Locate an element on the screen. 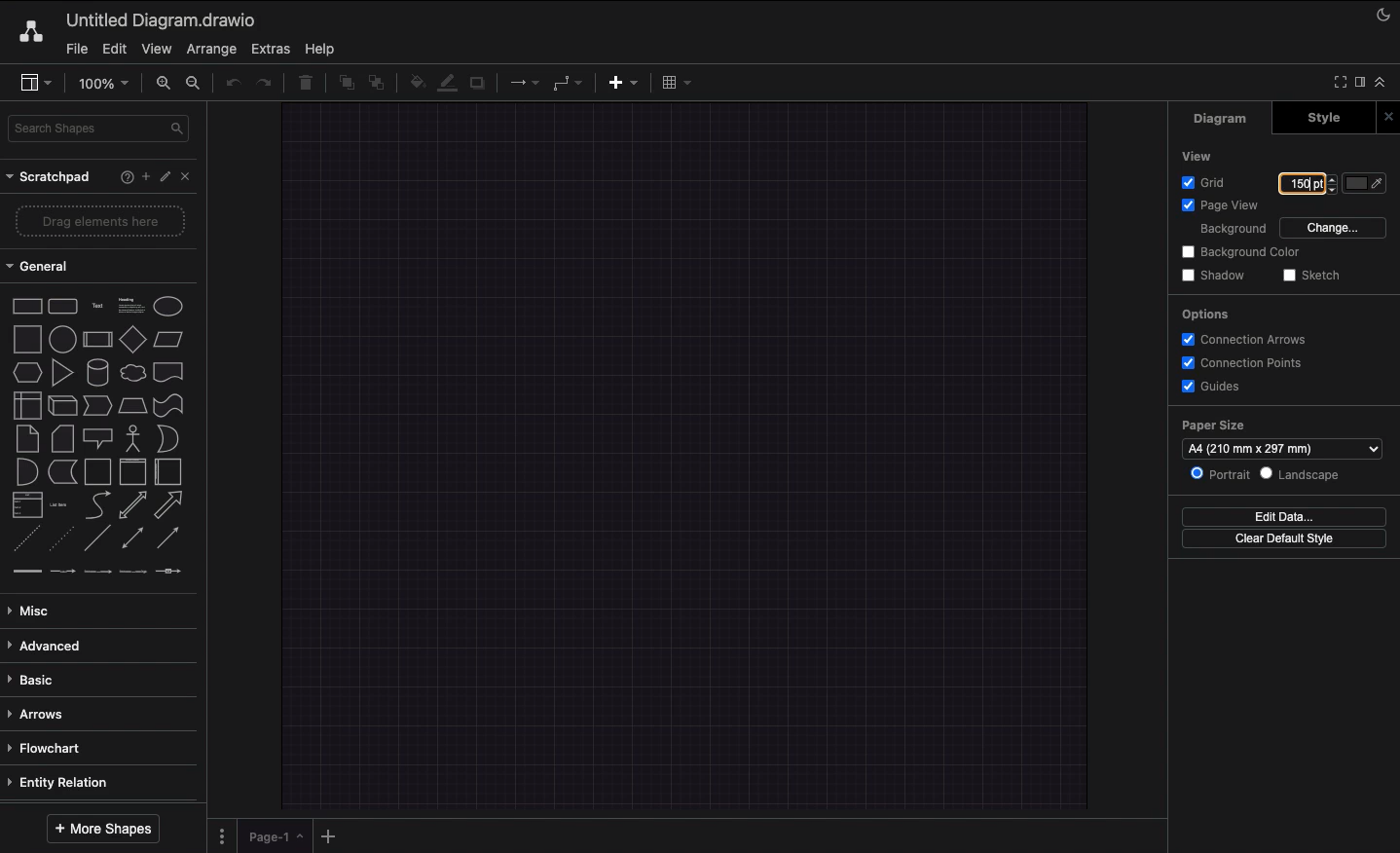 This screenshot has height=853, width=1400. Sketch is located at coordinates (1316, 276).